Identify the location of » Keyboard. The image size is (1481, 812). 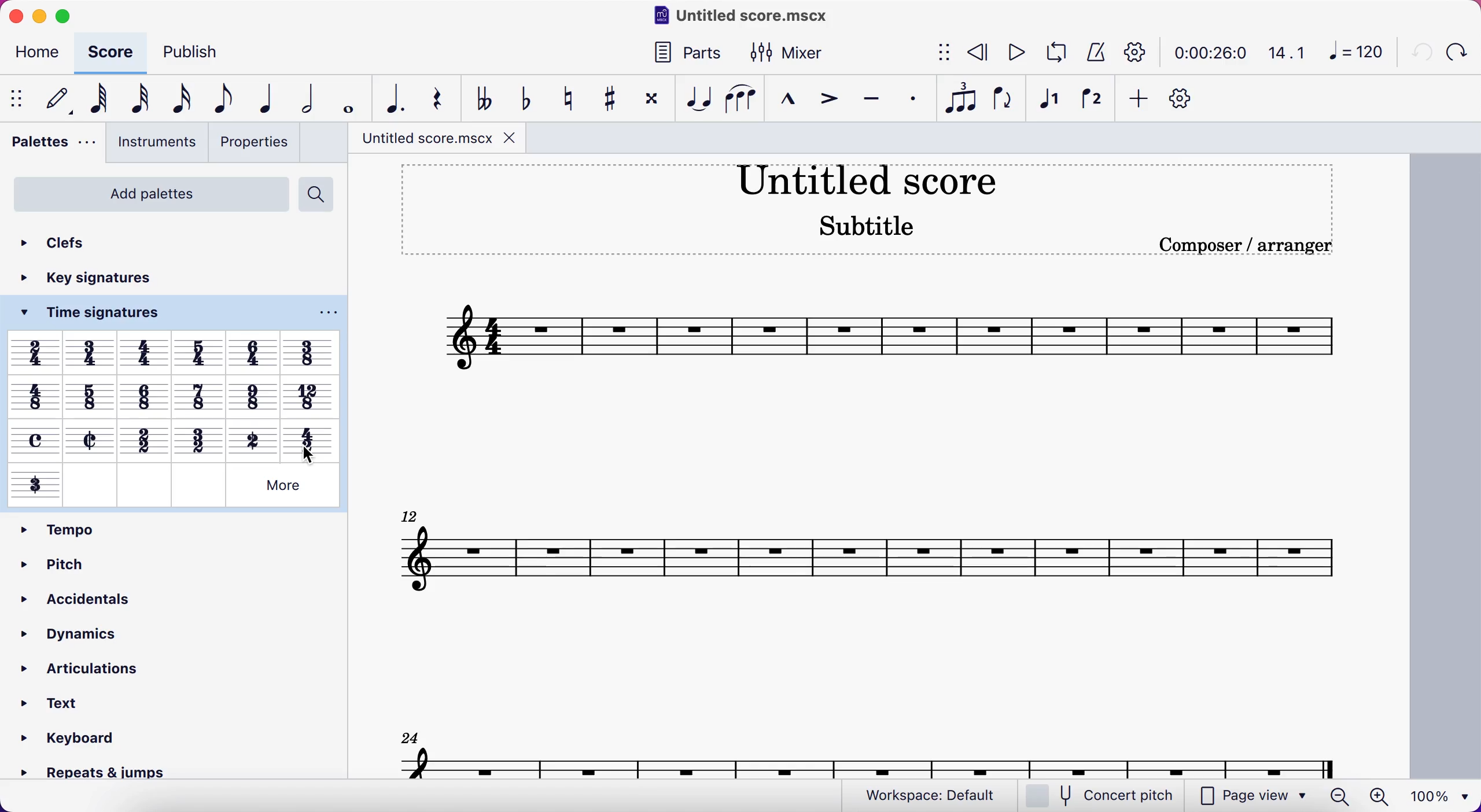
(68, 738).